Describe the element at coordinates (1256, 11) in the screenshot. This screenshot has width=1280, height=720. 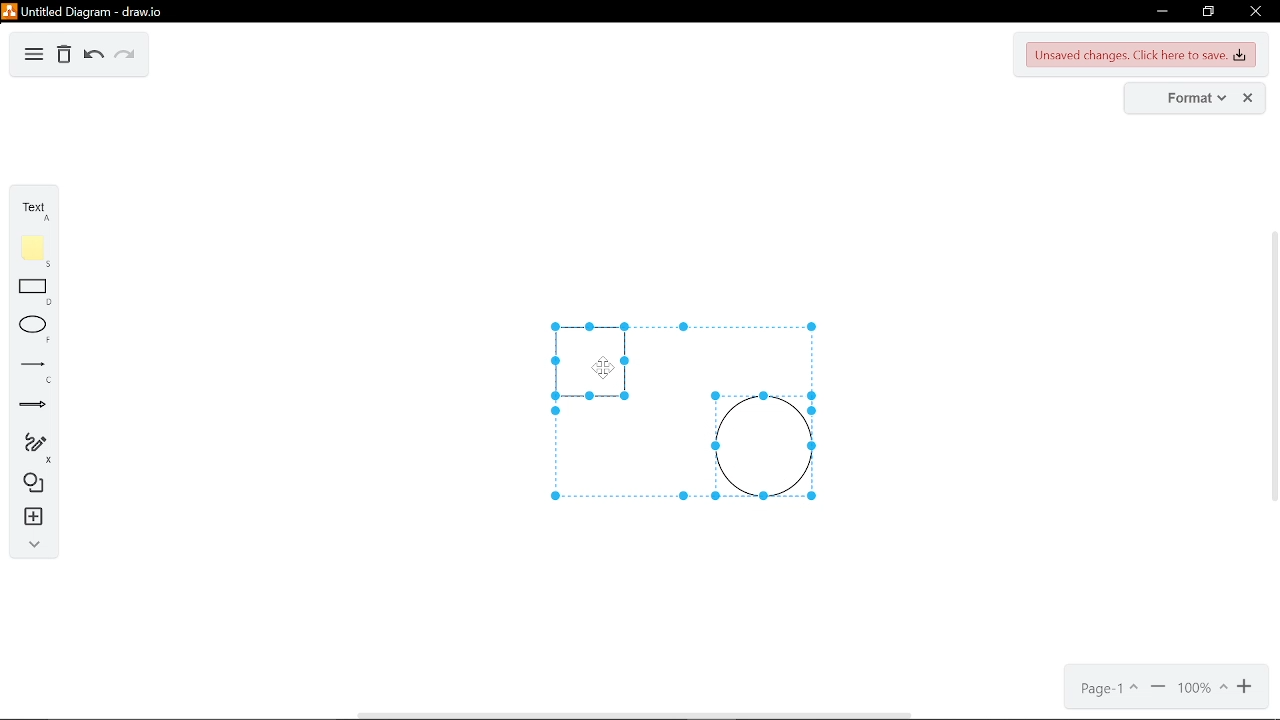
I see `close` at that location.